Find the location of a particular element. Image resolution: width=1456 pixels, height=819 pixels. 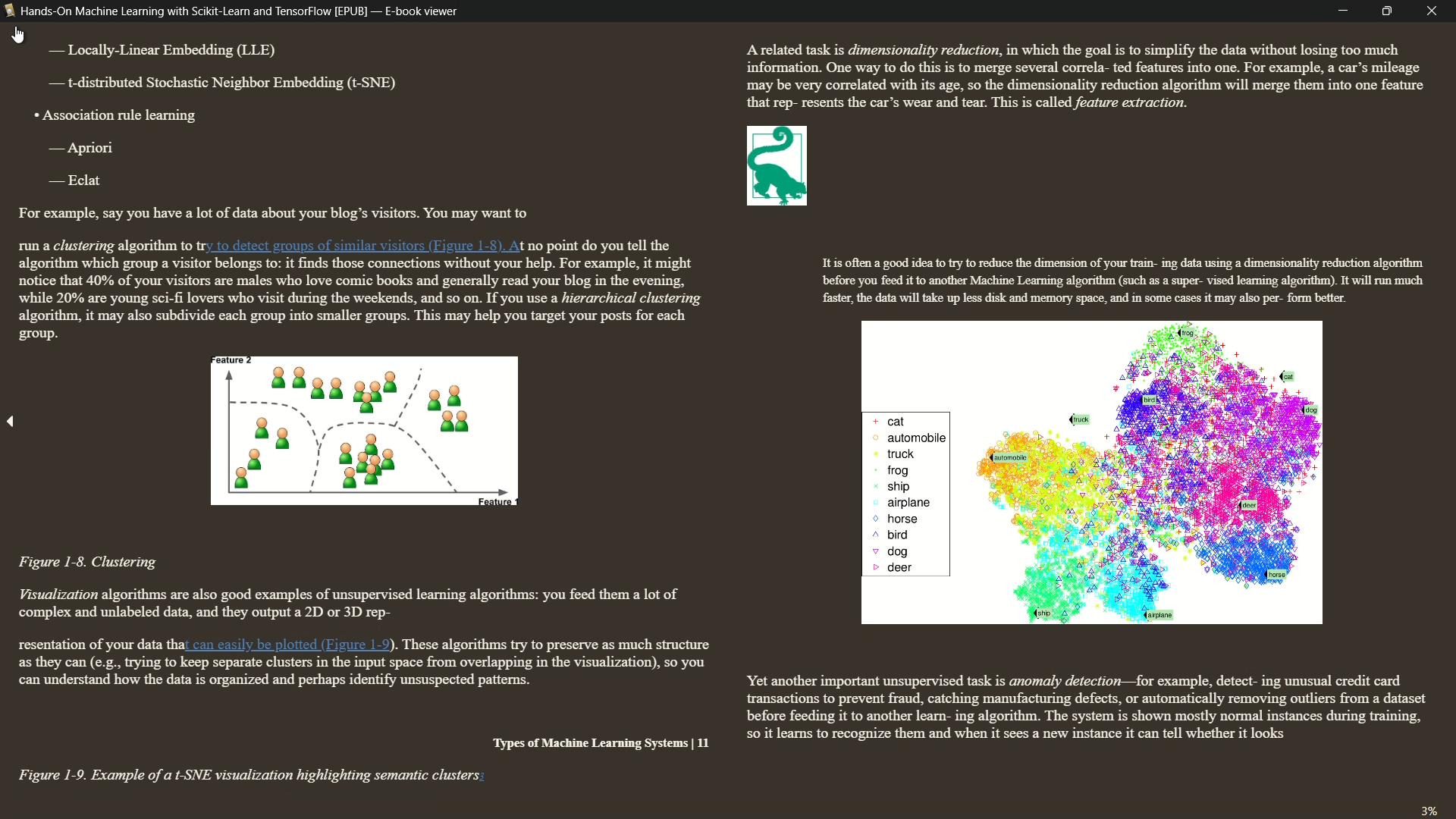

3% is located at coordinates (1428, 808).